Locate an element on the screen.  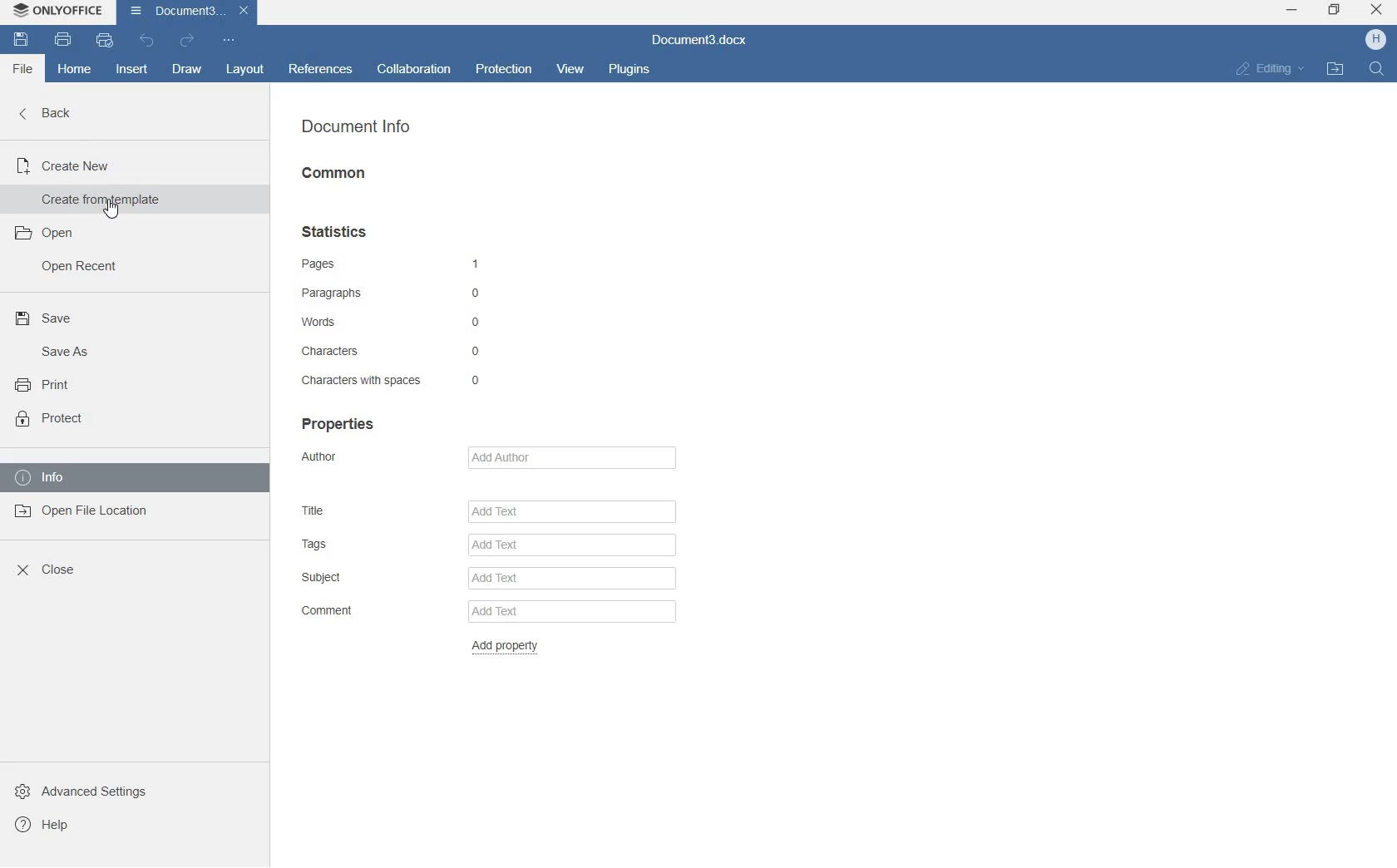
close is located at coordinates (49, 568).